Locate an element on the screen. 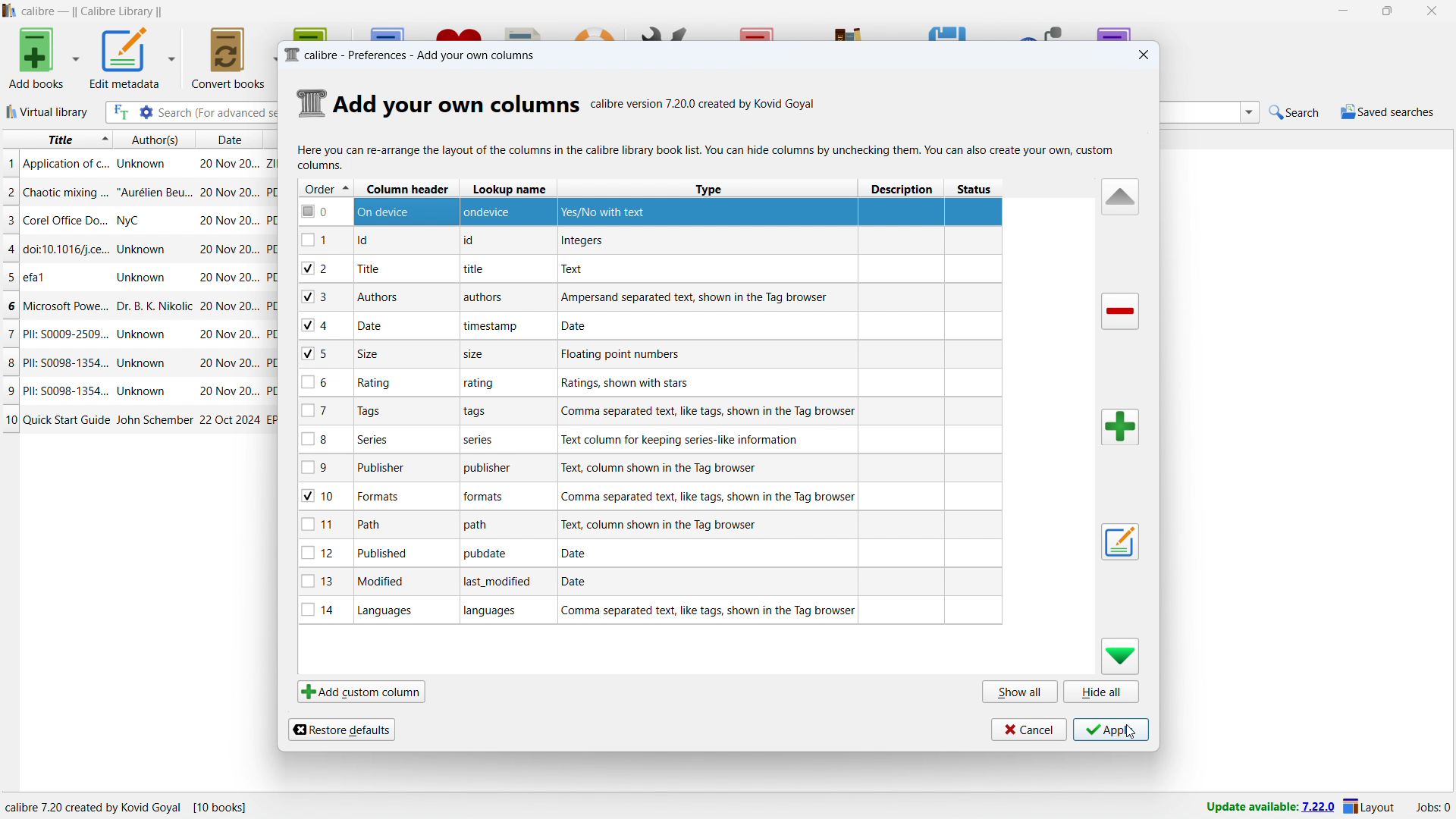  publisher is located at coordinates (389, 469).